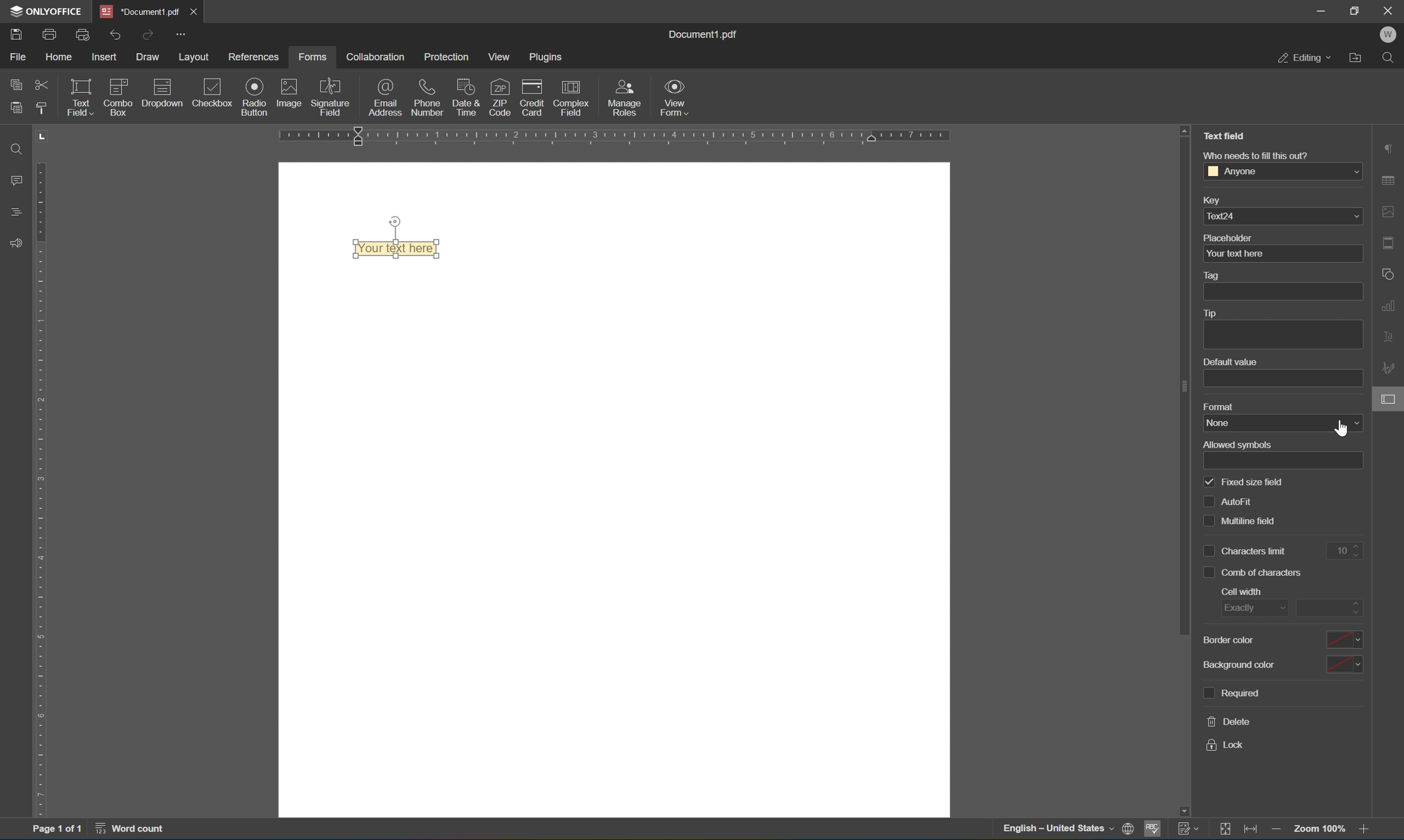  Describe the element at coordinates (1344, 638) in the screenshot. I see `select border color` at that location.